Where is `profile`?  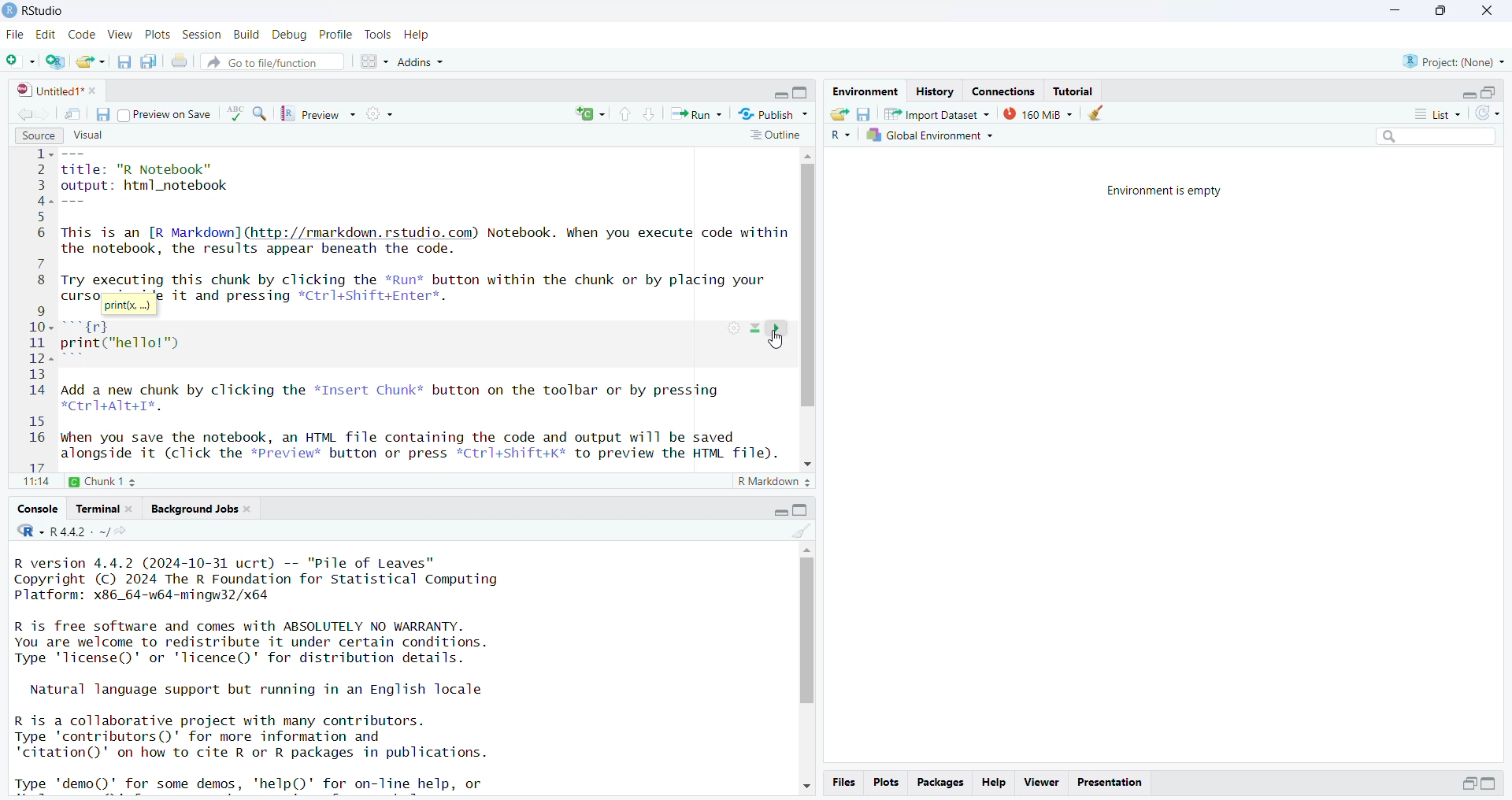
profile is located at coordinates (337, 35).